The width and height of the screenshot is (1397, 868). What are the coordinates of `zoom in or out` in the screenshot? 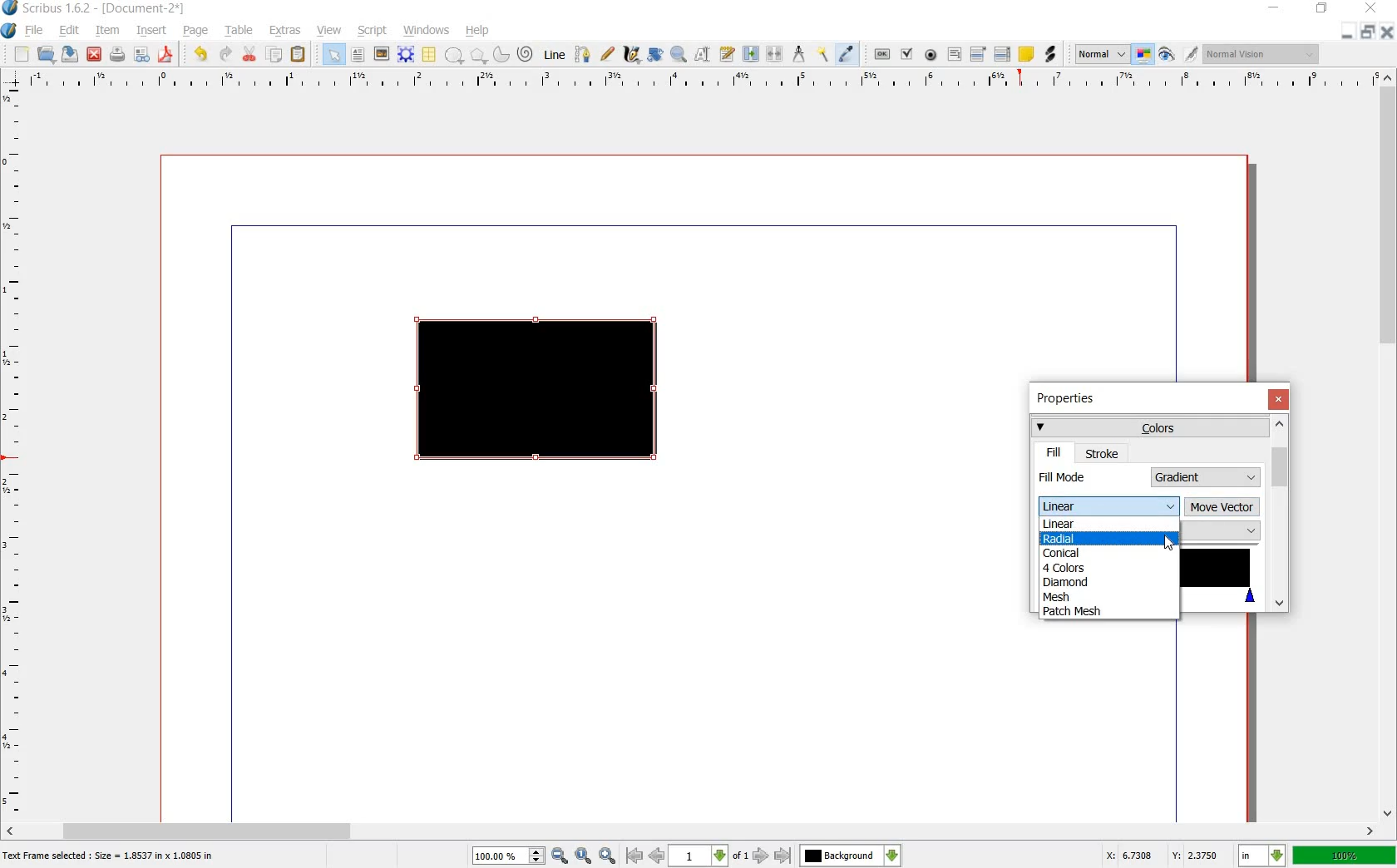 It's located at (678, 56).